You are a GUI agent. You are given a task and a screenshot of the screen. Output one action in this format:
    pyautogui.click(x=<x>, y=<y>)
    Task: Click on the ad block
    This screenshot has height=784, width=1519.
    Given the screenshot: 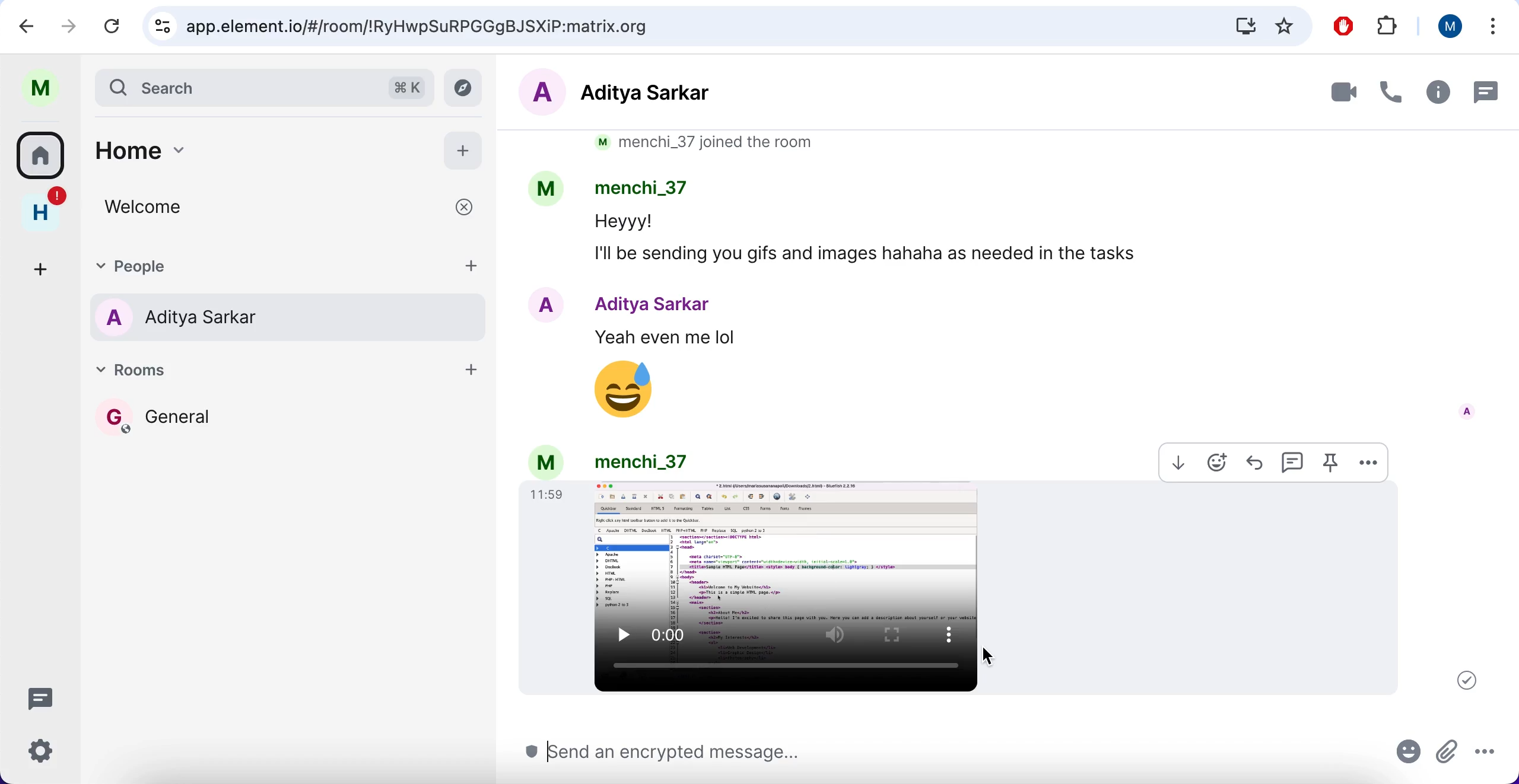 What is the action you would take?
    pyautogui.click(x=1342, y=27)
    